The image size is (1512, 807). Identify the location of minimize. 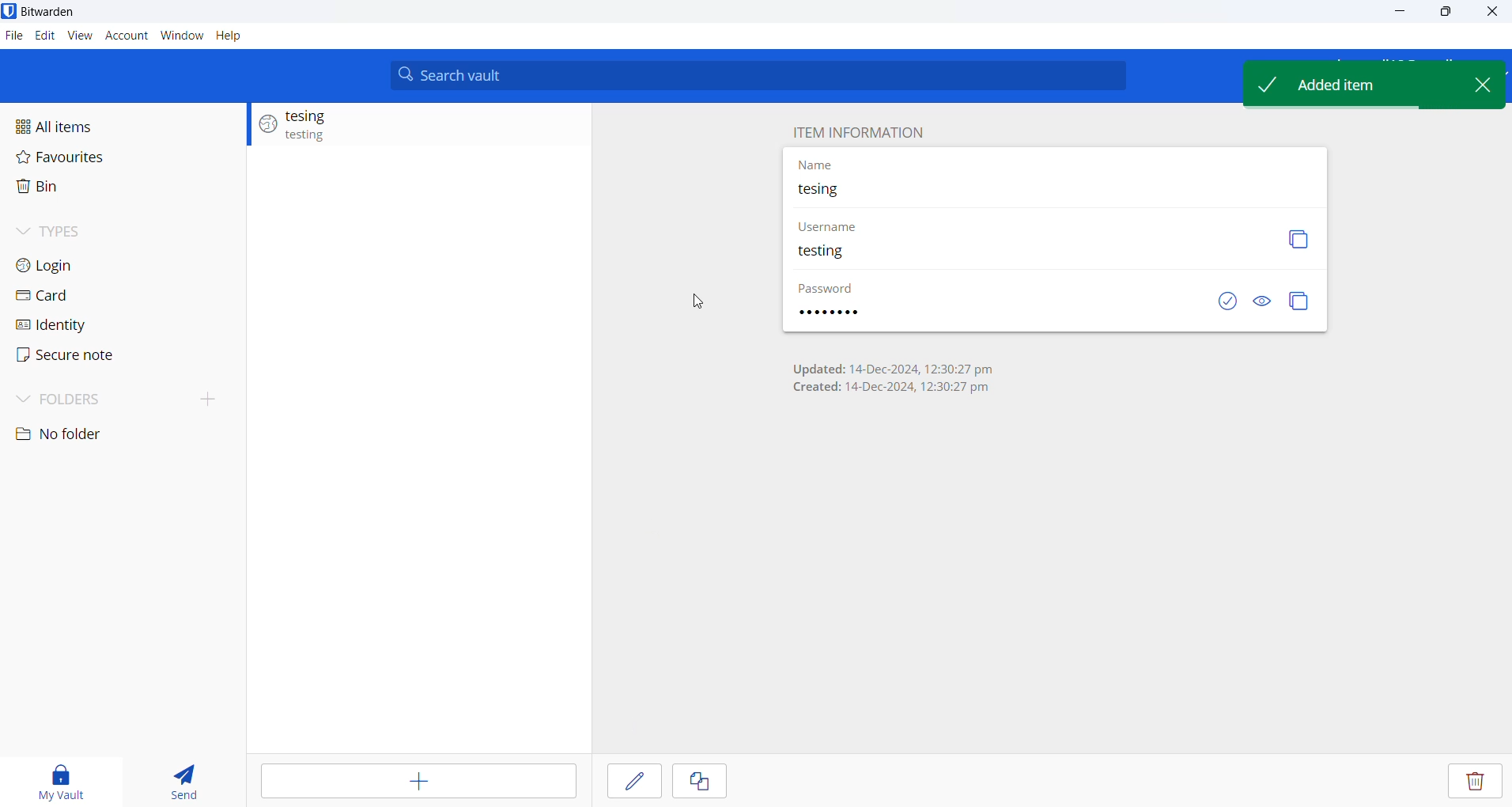
(1402, 13).